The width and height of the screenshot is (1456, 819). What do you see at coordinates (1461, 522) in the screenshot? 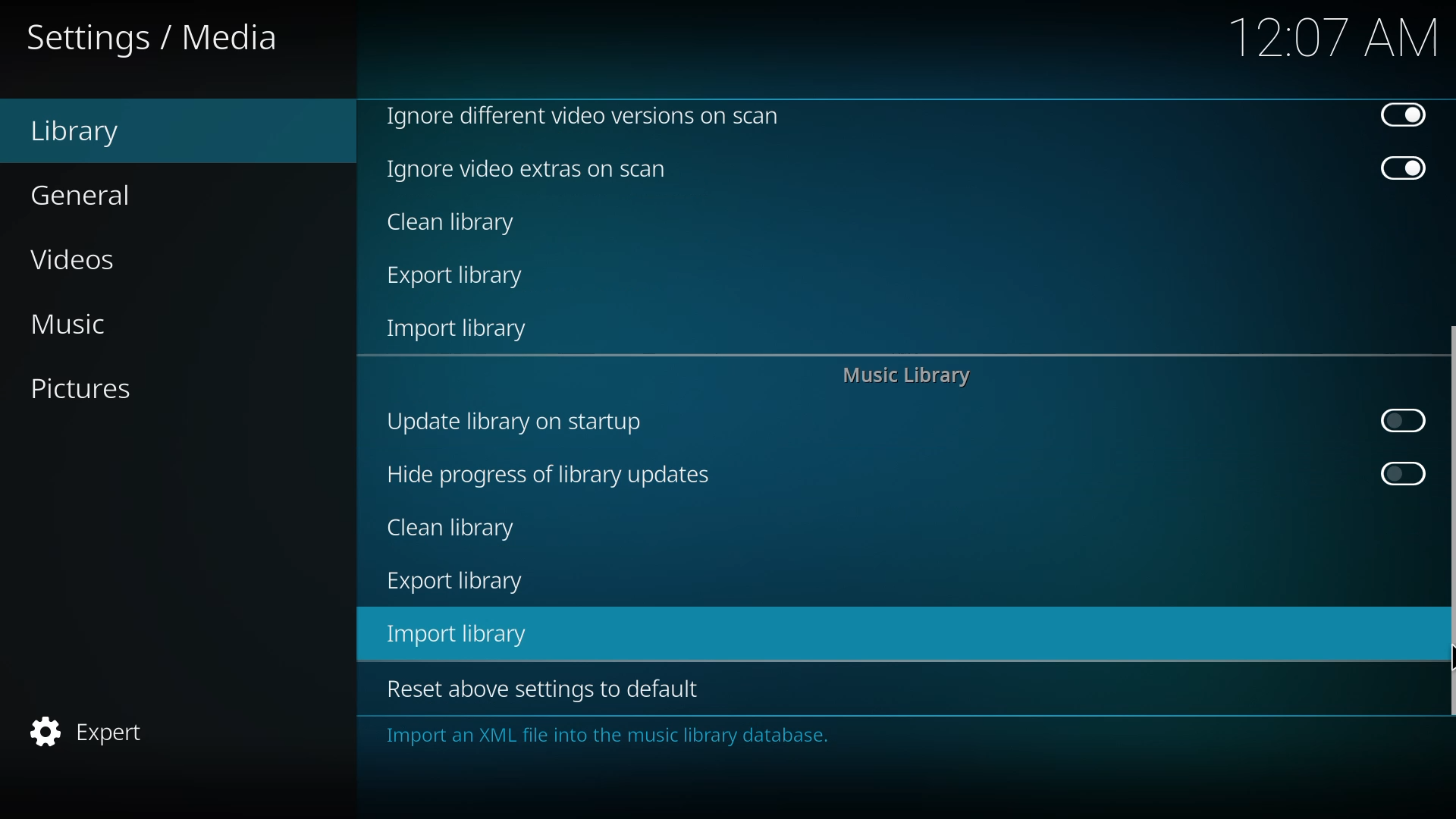
I see `Scroll Bar` at bounding box center [1461, 522].